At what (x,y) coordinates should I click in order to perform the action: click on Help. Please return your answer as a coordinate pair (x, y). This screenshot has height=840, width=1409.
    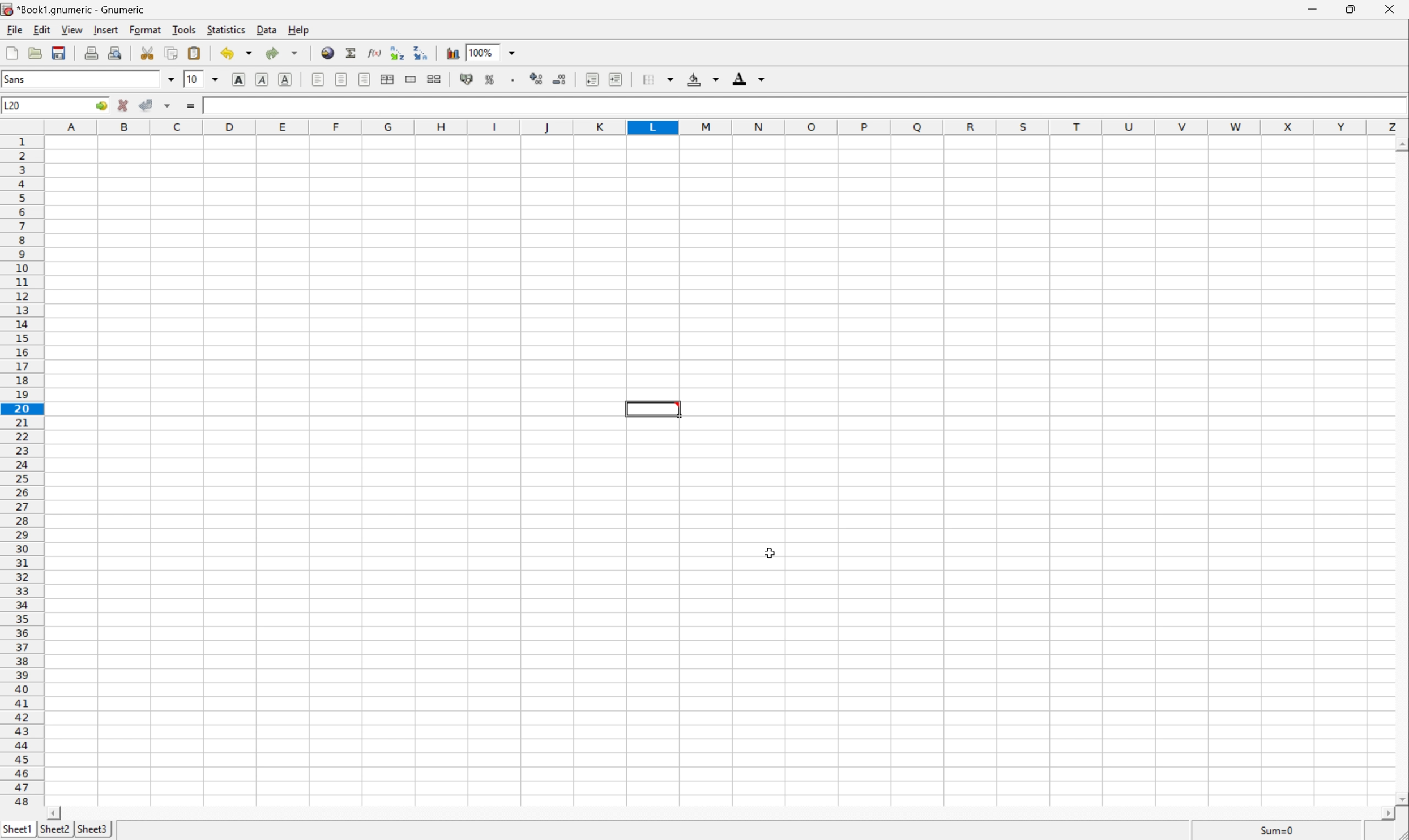
    Looking at the image, I should click on (298, 30).